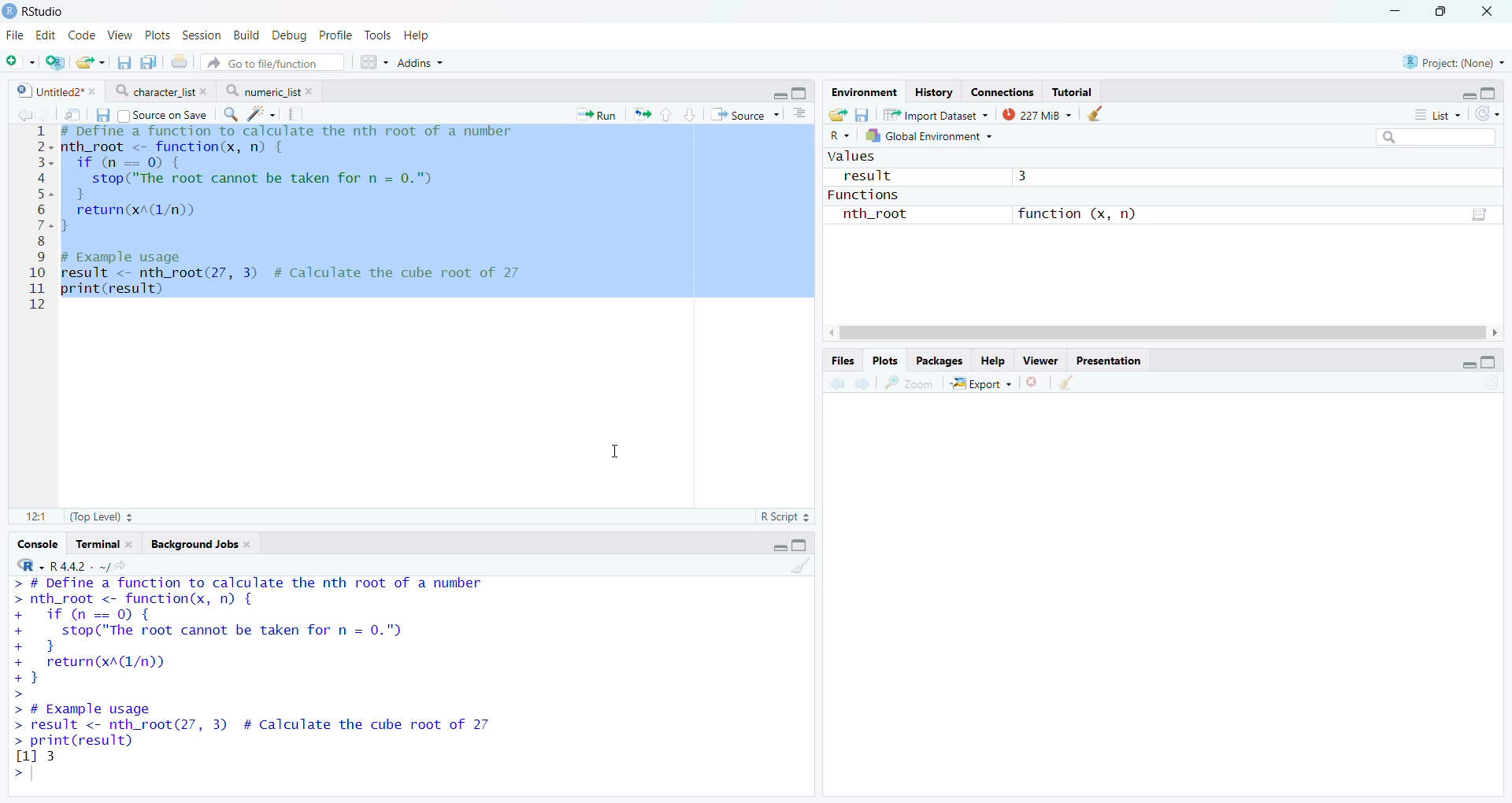  Describe the element at coordinates (90, 62) in the screenshot. I see `Open exisitng file` at that location.